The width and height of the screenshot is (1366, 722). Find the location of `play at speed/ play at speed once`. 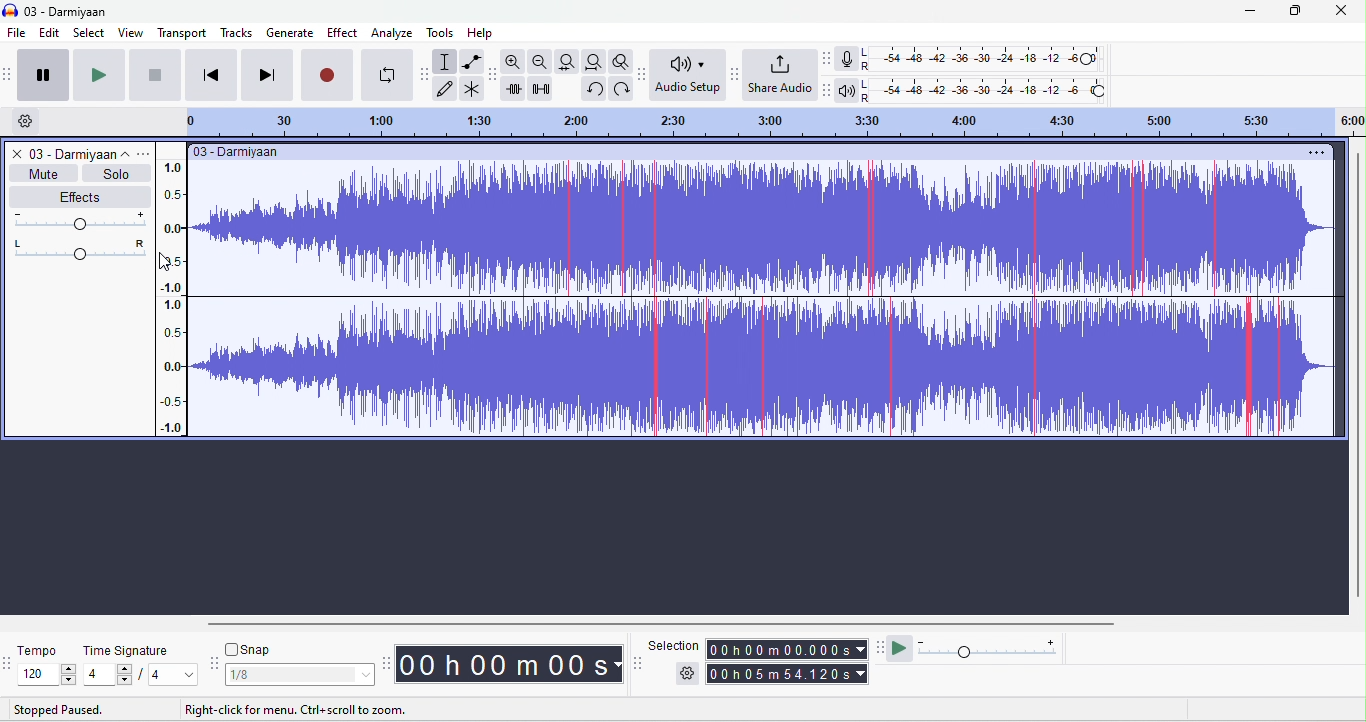

play at speed/ play at speed once is located at coordinates (901, 648).